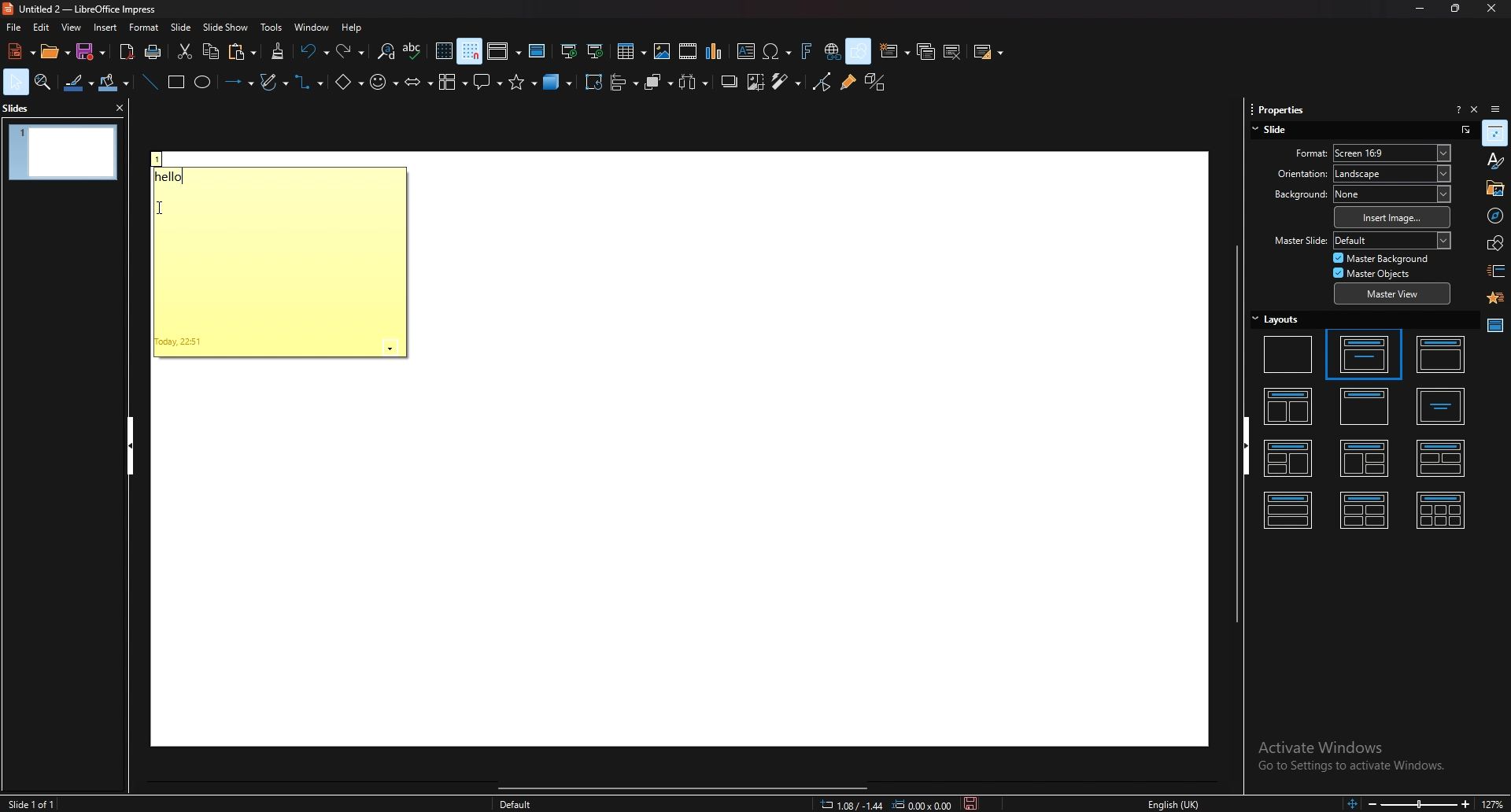 The image size is (1511, 812). Describe the element at coordinates (471, 52) in the screenshot. I see `snap to grid` at that location.